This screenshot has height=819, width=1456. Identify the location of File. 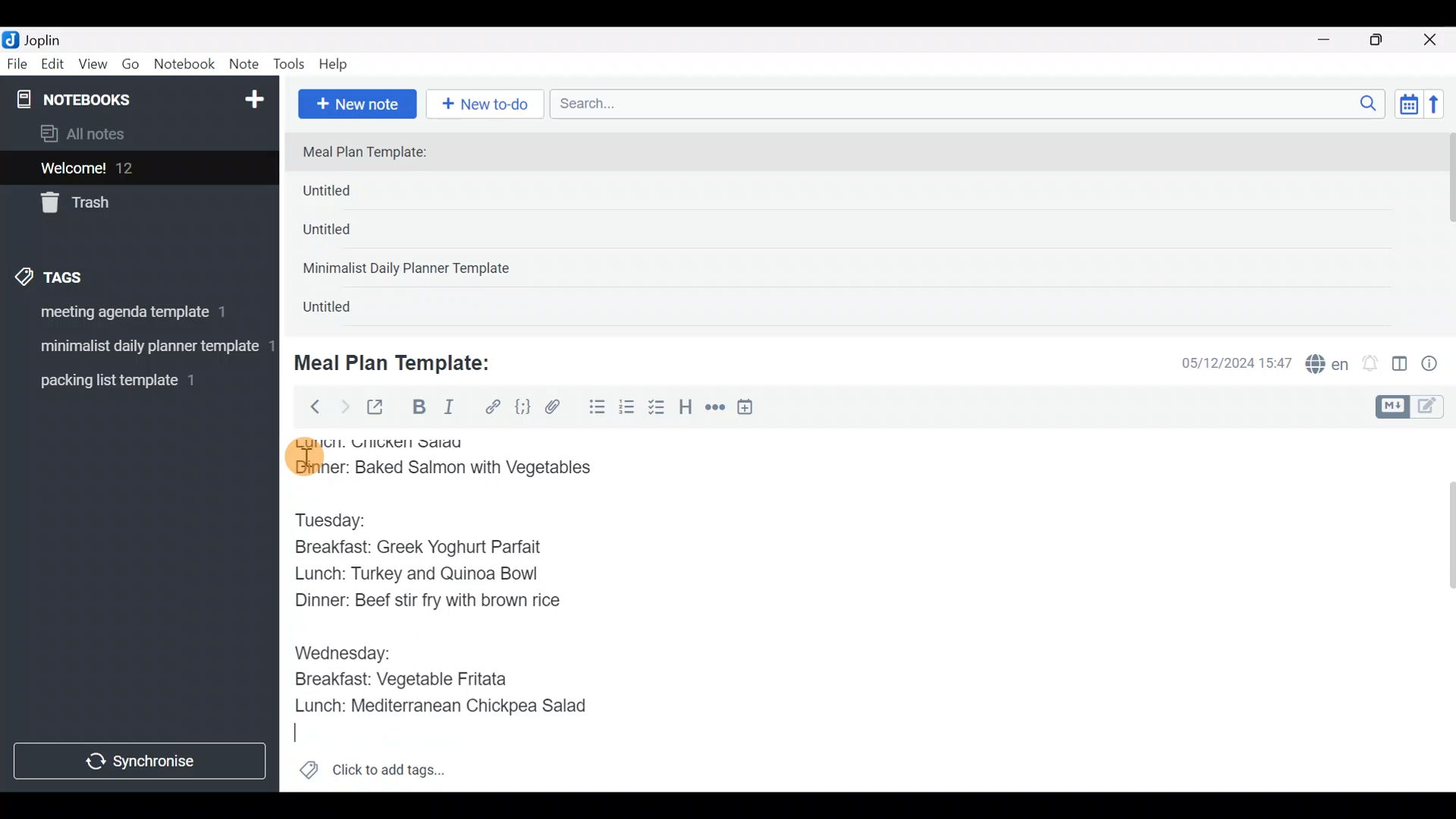
(18, 64).